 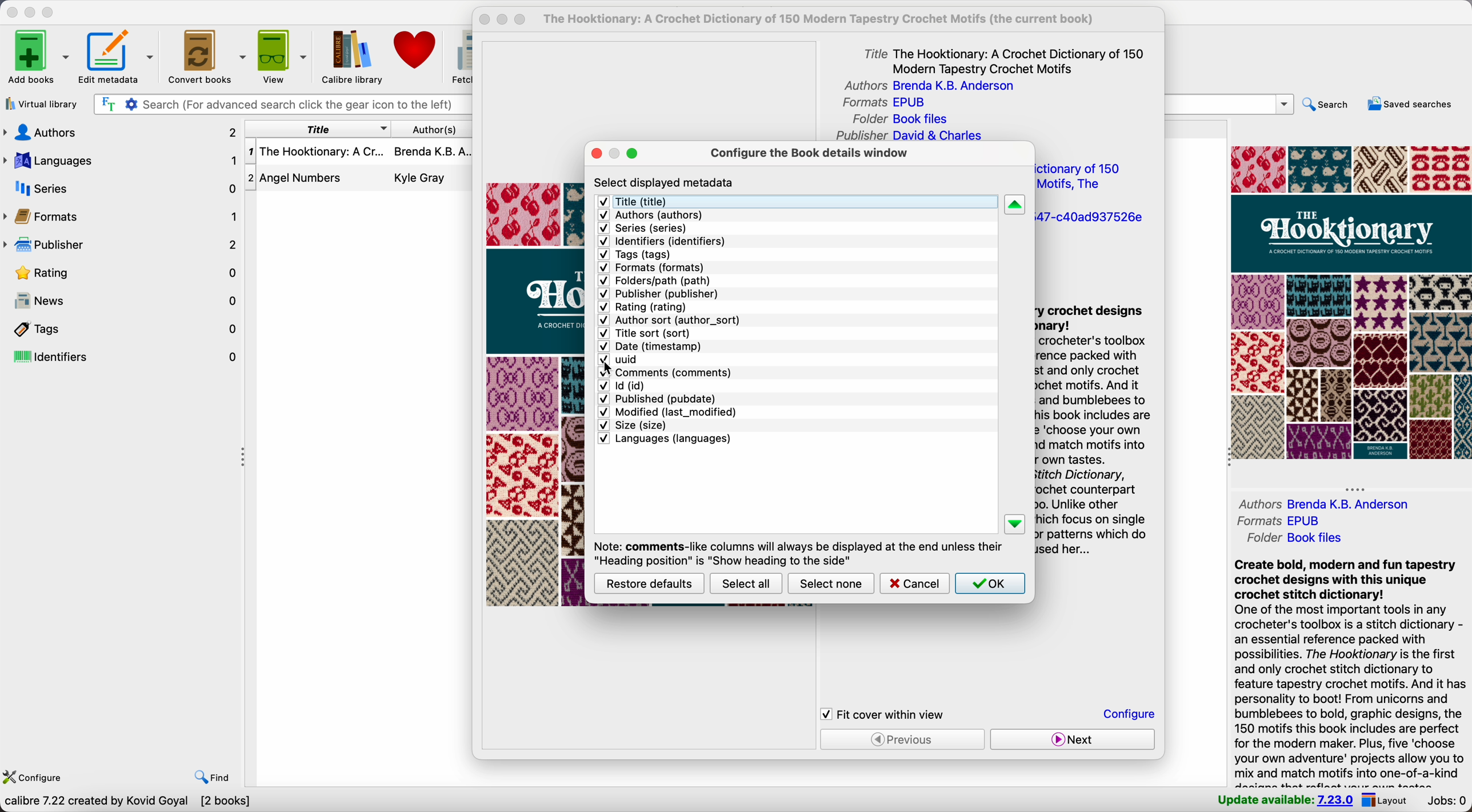 What do you see at coordinates (623, 386) in the screenshot?
I see `id` at bounding box center [623, 386].